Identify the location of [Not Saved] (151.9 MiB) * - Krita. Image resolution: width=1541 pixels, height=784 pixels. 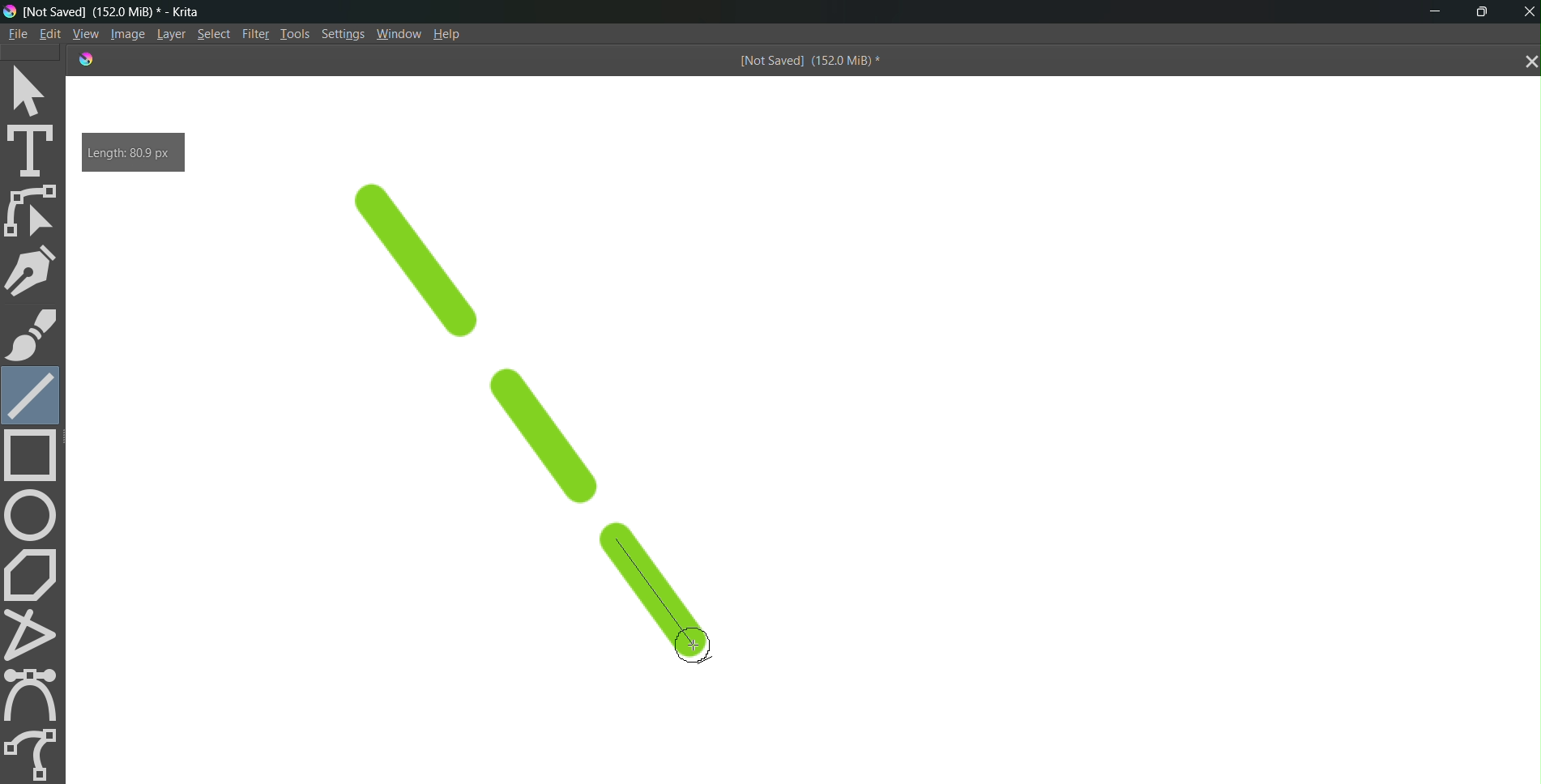
(122, 11).